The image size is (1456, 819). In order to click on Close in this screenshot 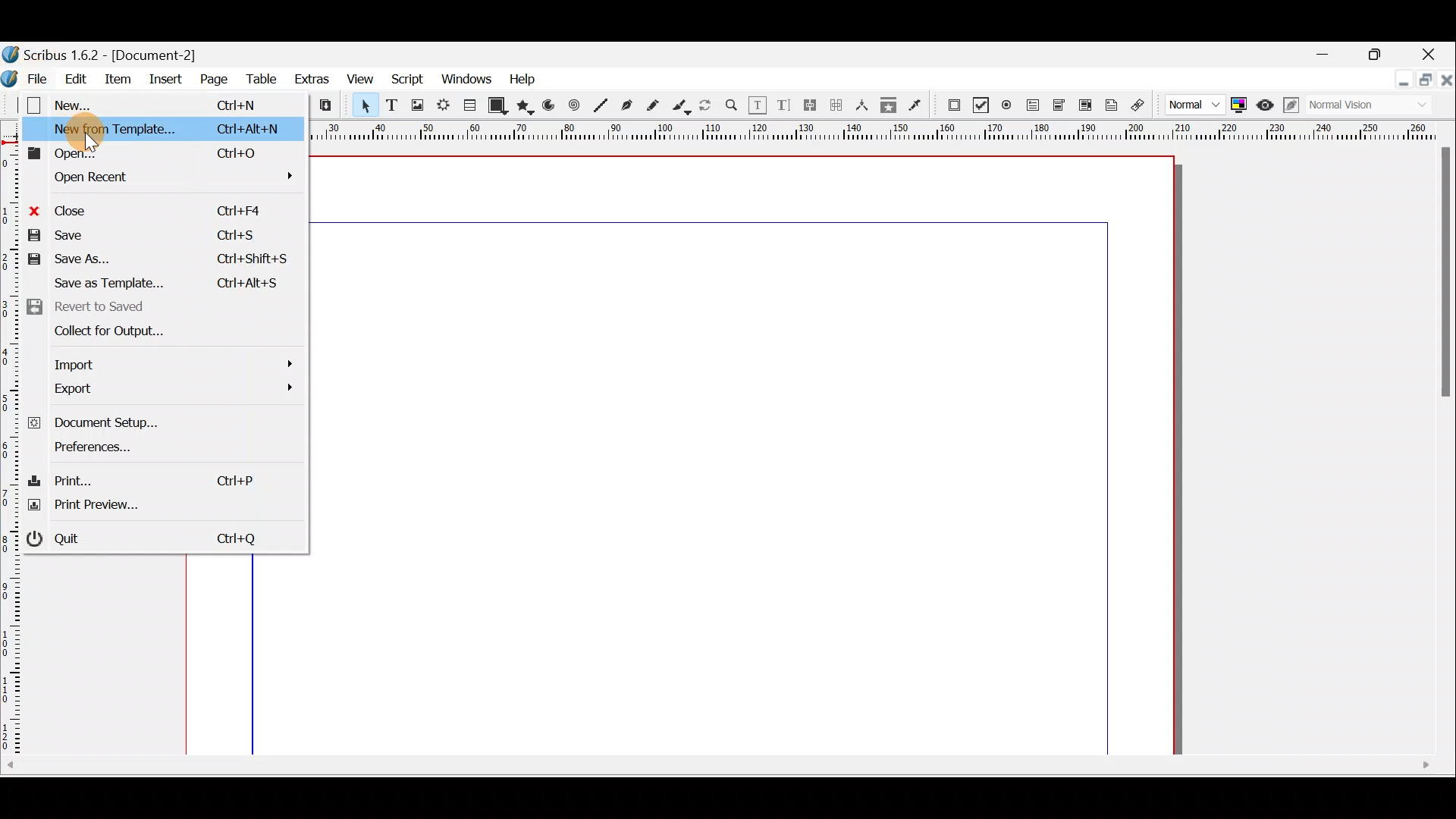, I will do `click(1447, 81)`.